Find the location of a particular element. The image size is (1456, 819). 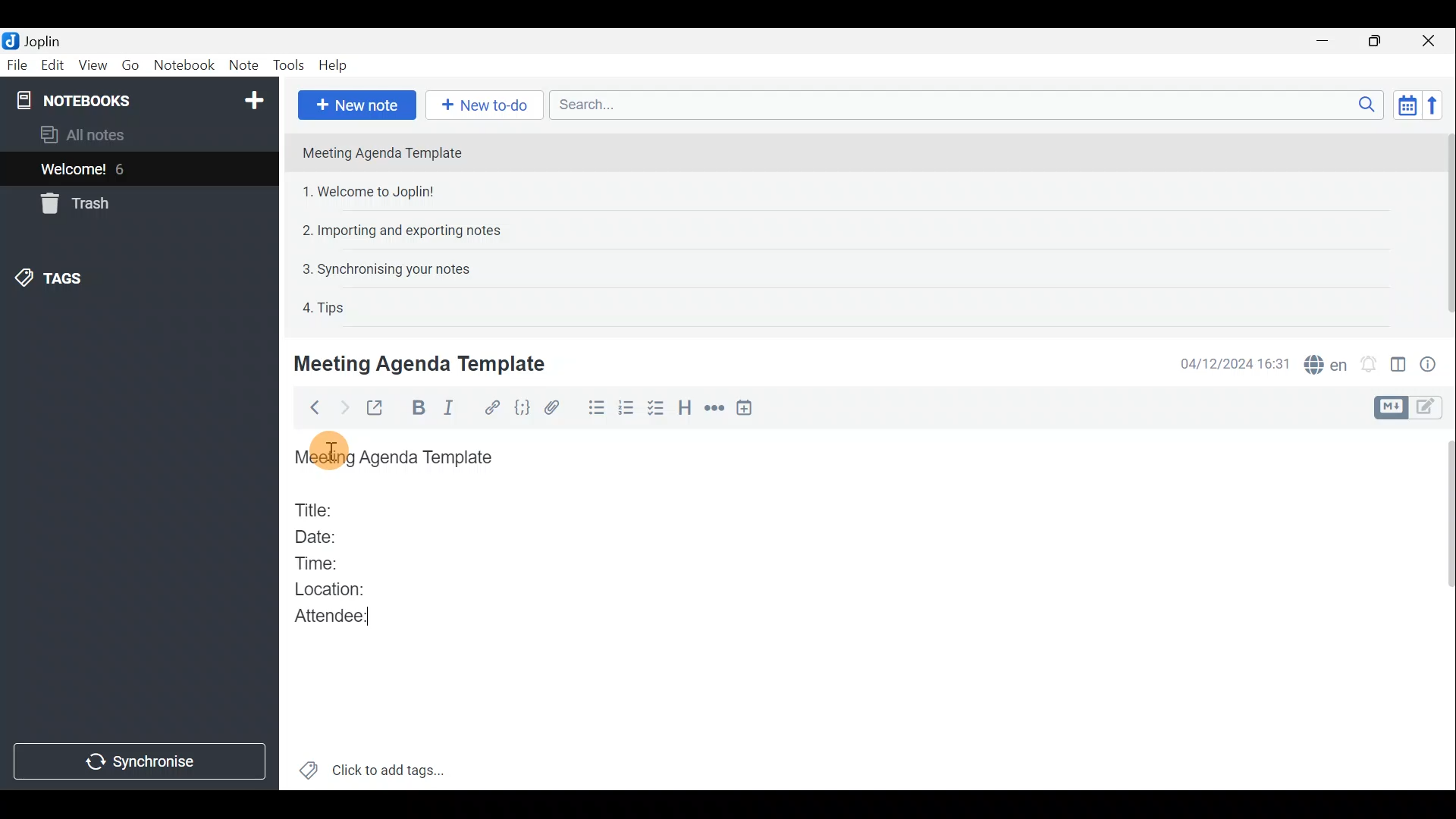

Attendee: is located at coordinates (343, 619).